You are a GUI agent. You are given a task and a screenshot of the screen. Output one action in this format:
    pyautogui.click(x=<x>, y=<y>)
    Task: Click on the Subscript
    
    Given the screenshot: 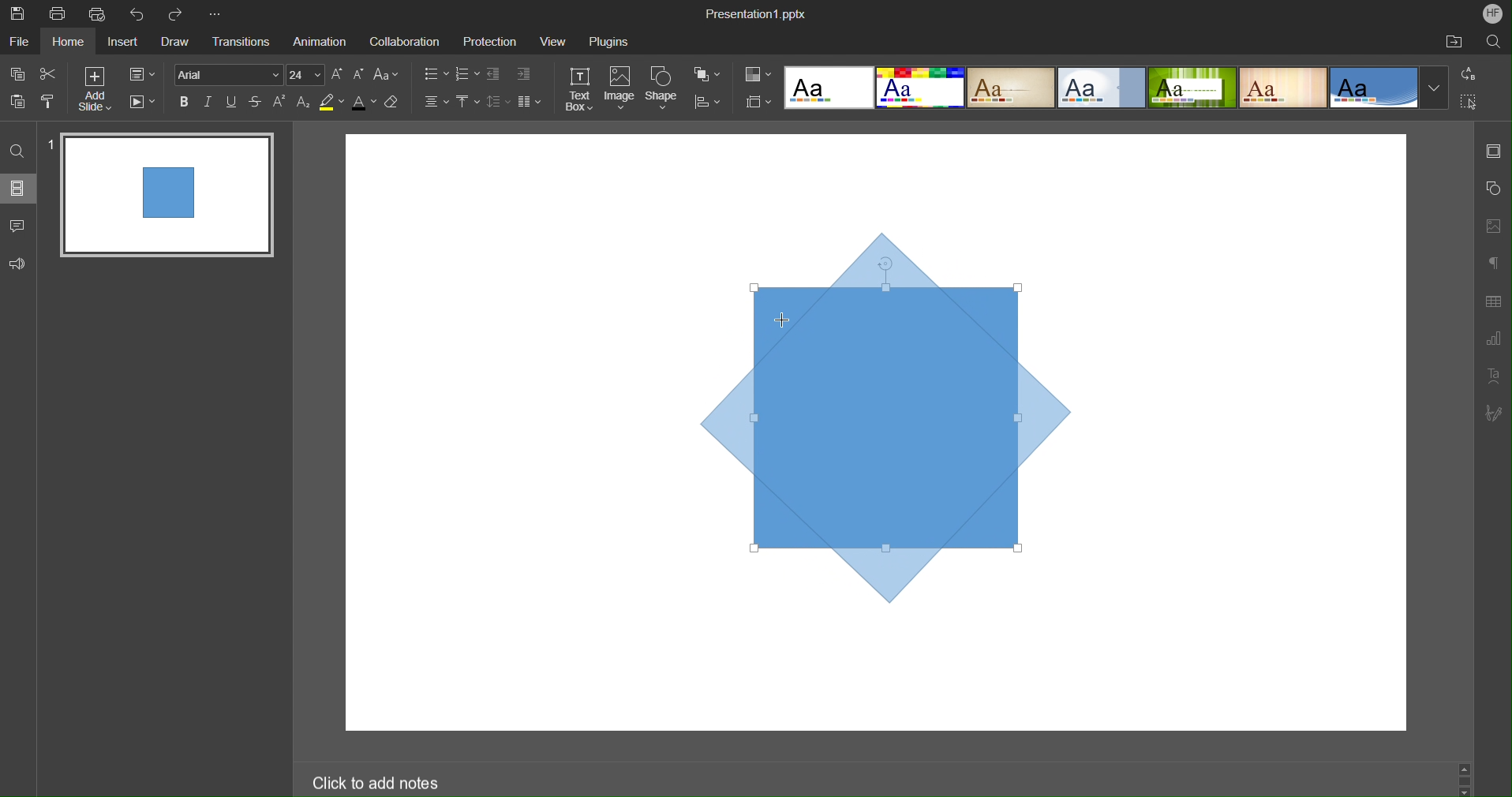 What is the action you would take?
    pyautogui.click(x=304, y=102)
    